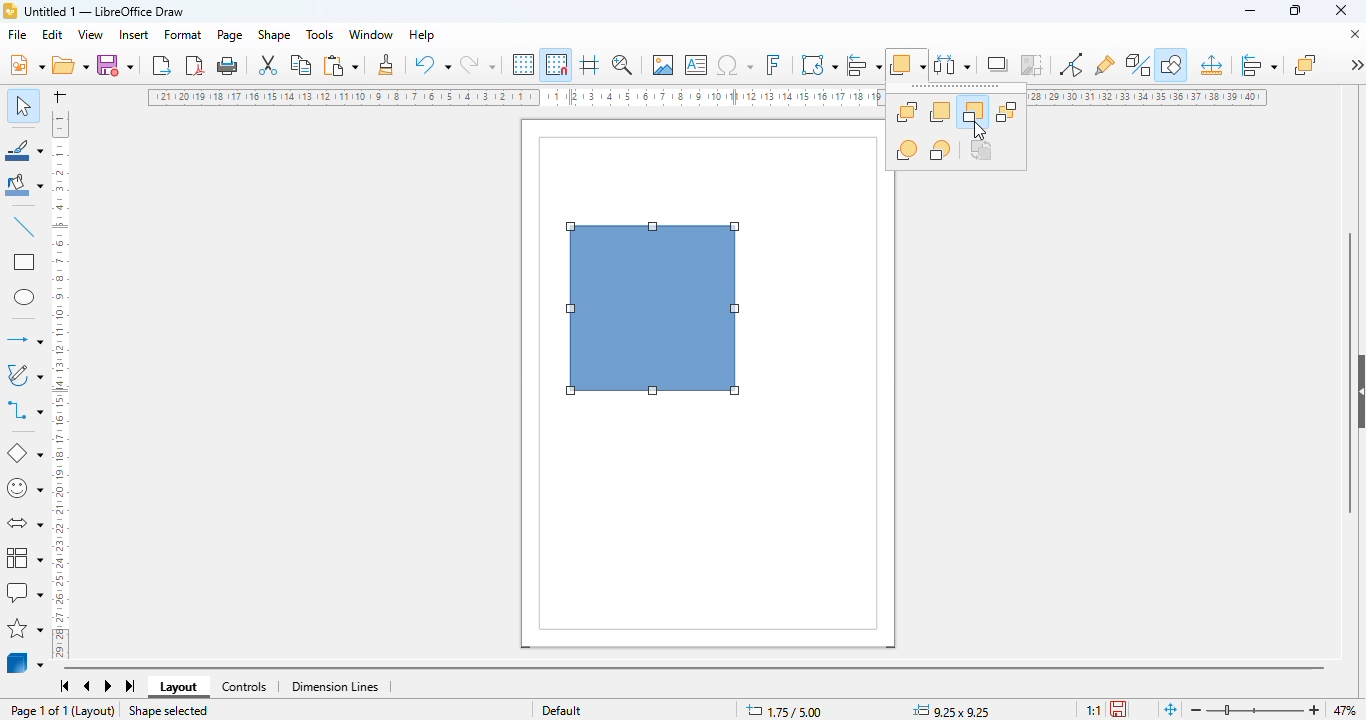  I want to click on insert image, so click(663, 65).